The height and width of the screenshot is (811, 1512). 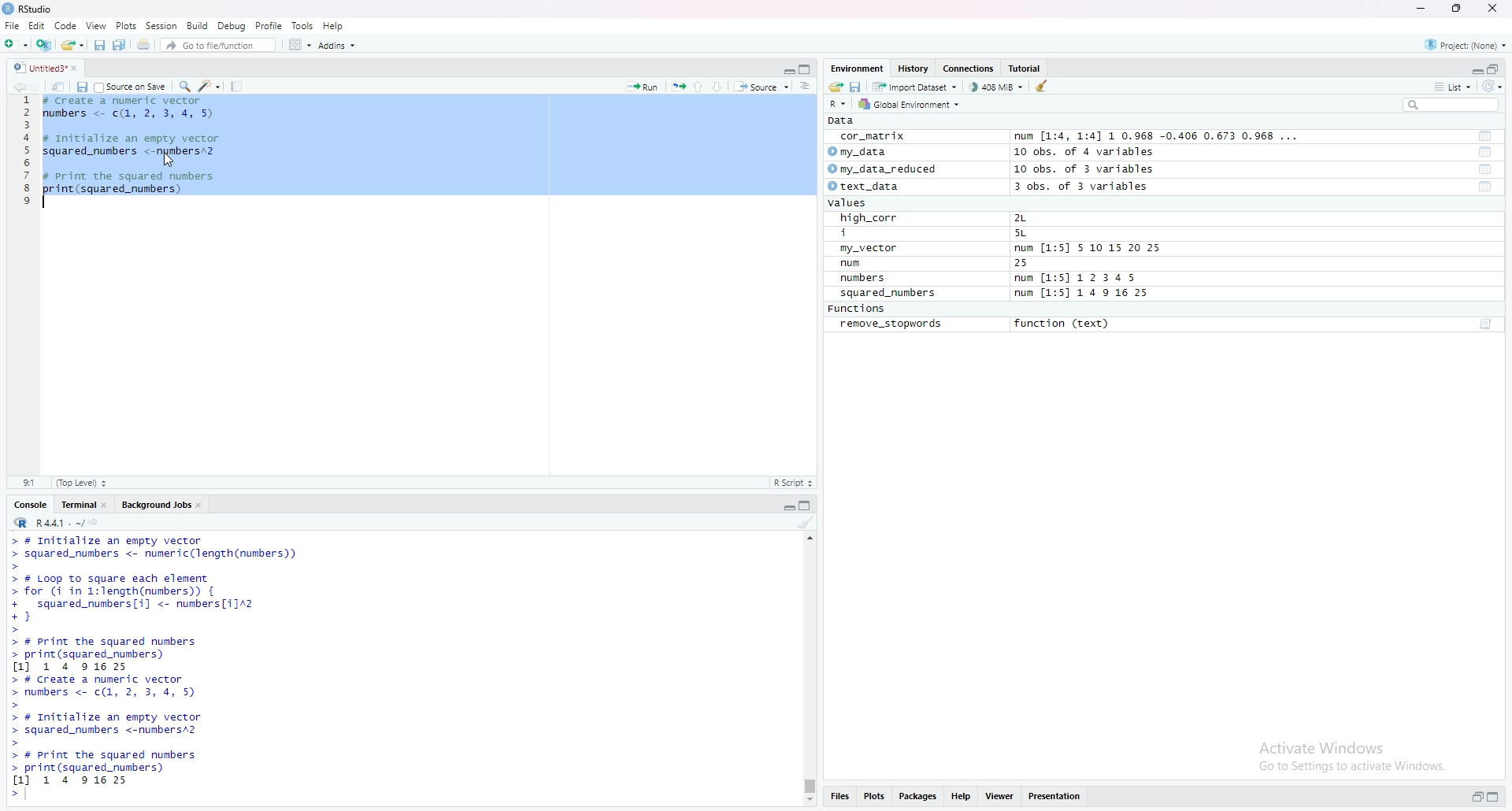 What do you see at coordinates (161, 25) in the screenshot?
I see `Session` at bounding box center [161, 25].